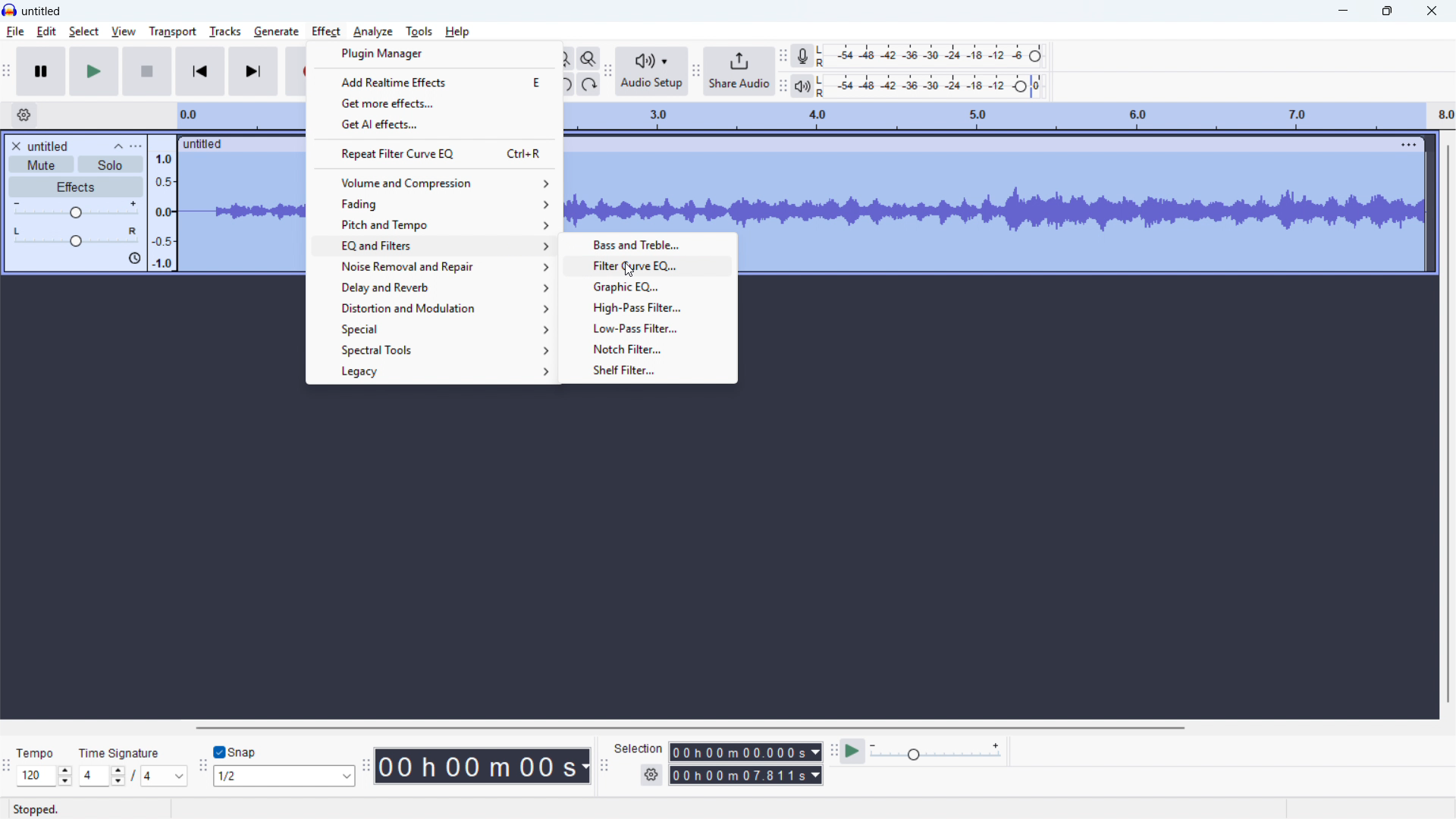 This screenshot has height=819, width=1456. I want to click on Set snapping , so click(284, 776).